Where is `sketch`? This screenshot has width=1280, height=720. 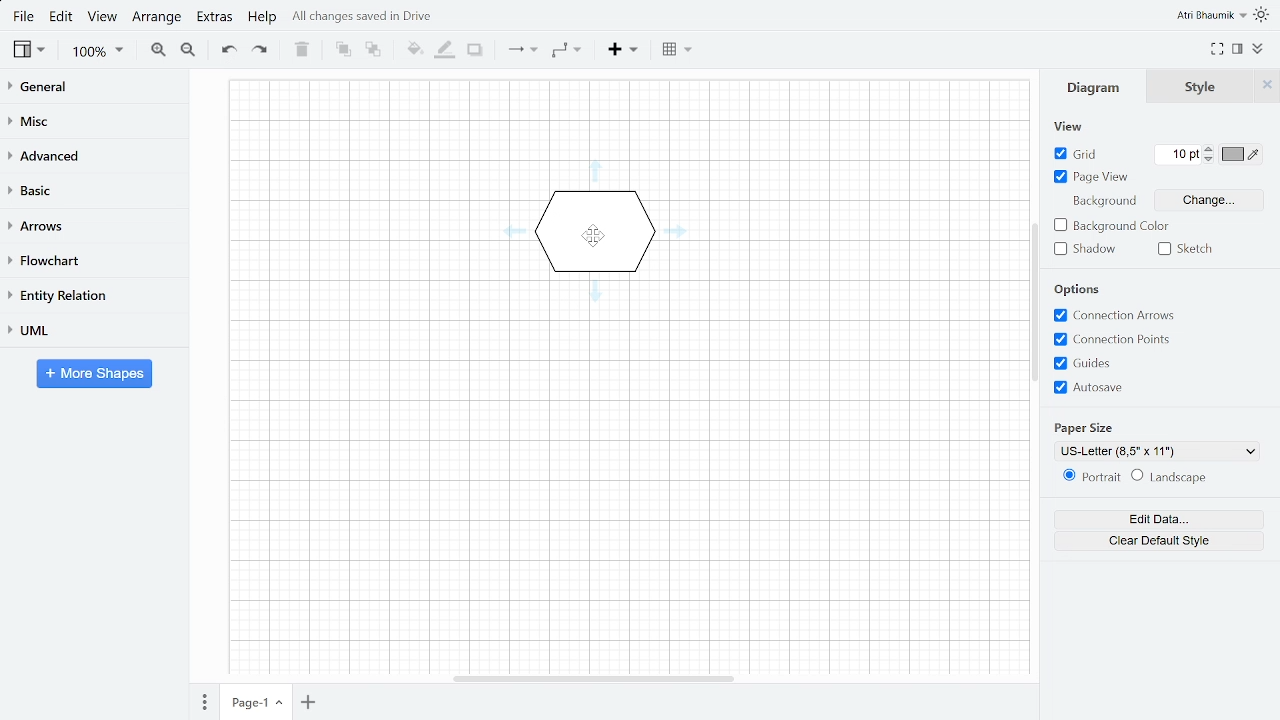
sketch is located at coordinates (1197, 249).